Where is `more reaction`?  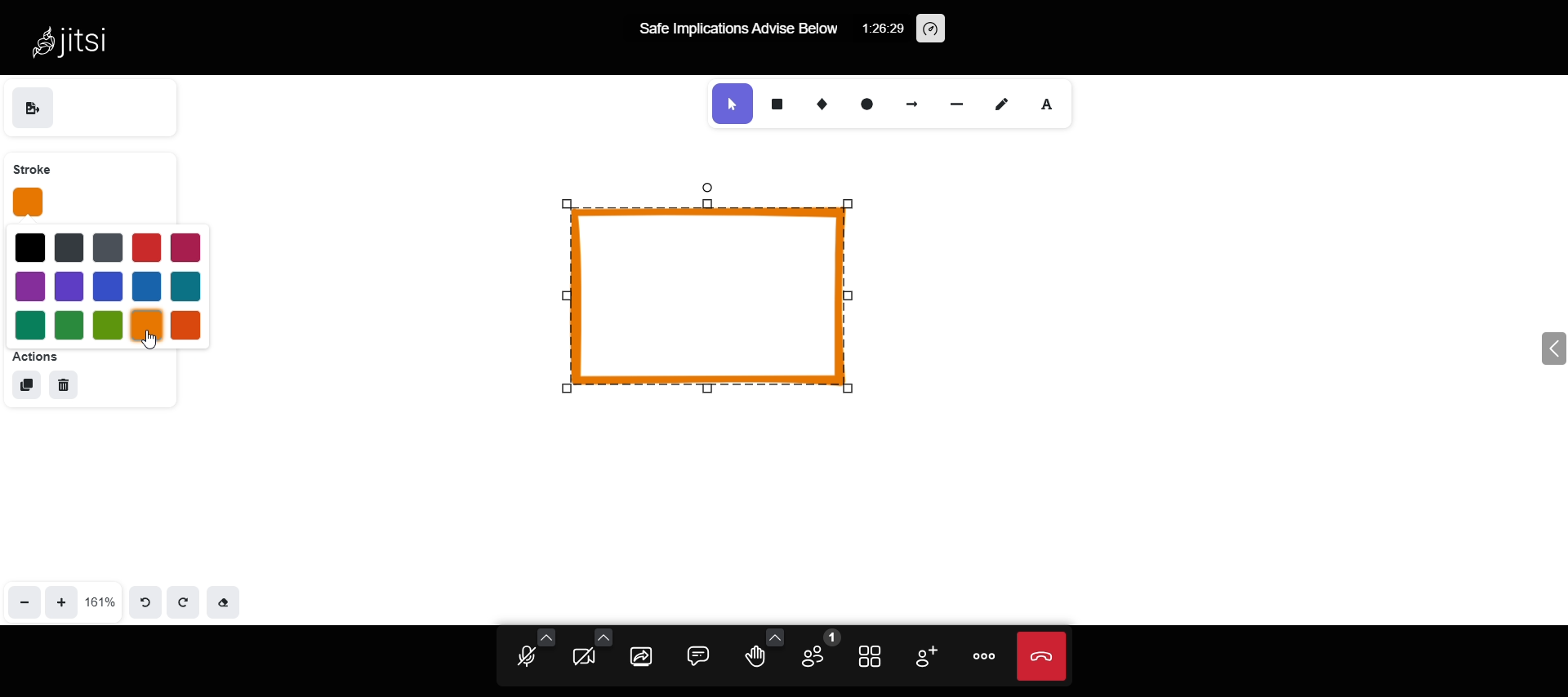 more reaction is located at coordinates (771, 628).